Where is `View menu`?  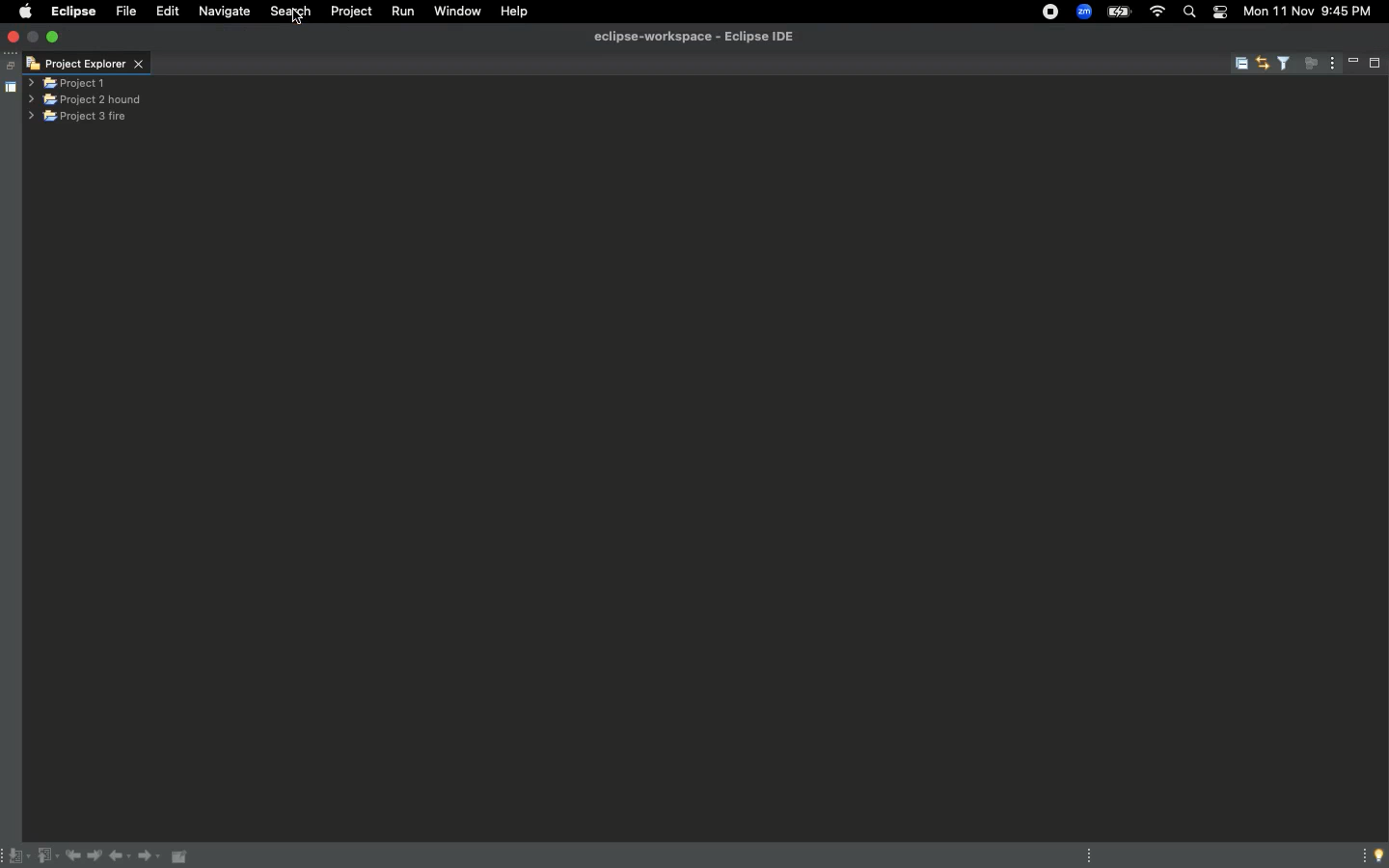 View menu is located at coordinates (1330, 65).